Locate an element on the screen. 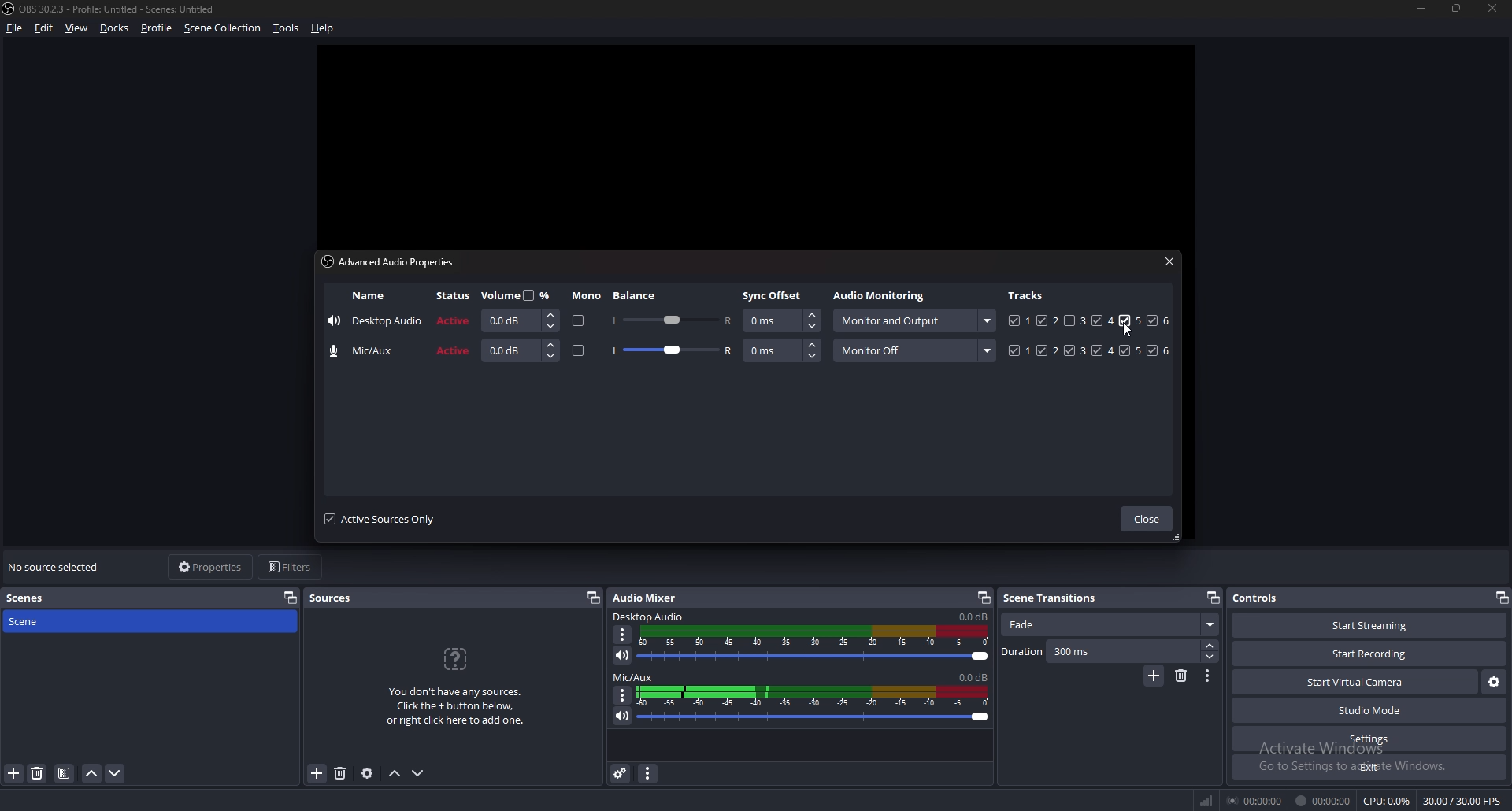 Image resolution: width=1512 pixels, height=811 pixels. studio mode is located at coordinates (1369, 711).